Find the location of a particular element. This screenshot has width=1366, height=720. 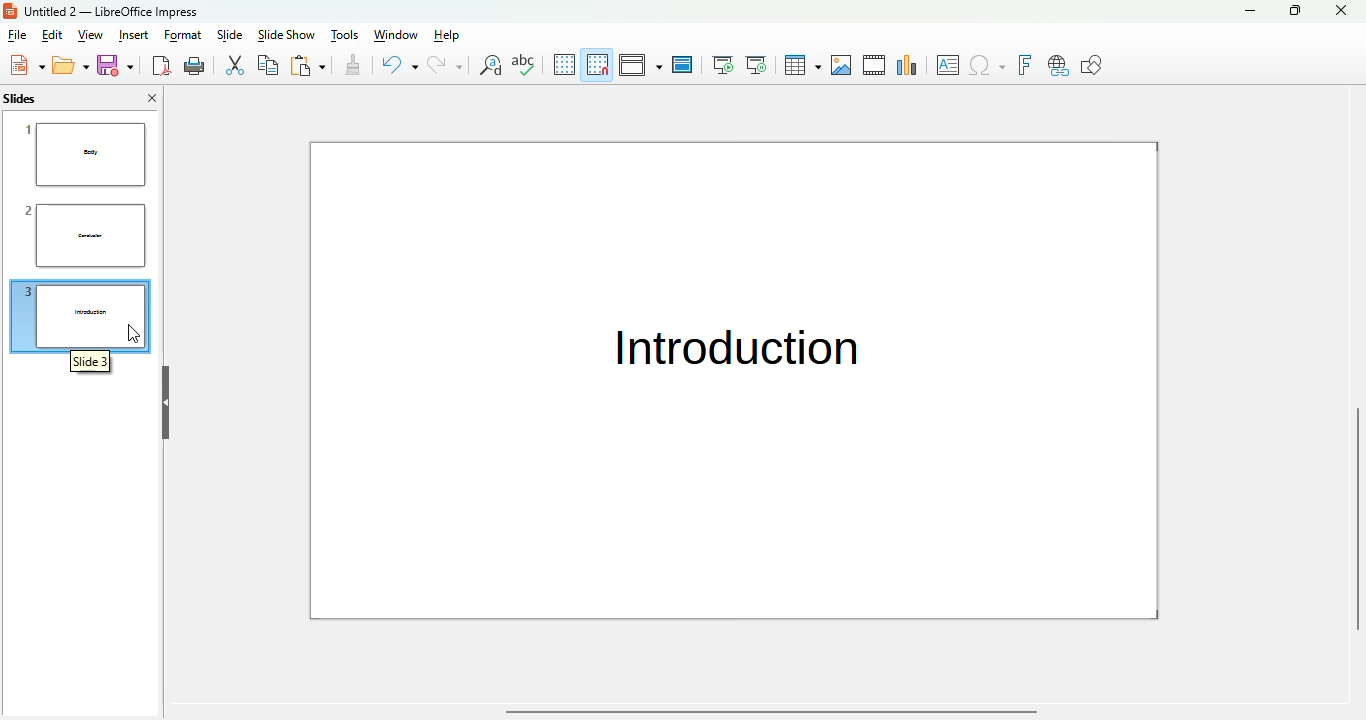

untitled2-libreoffice impress is located at coordinates (111, 11).